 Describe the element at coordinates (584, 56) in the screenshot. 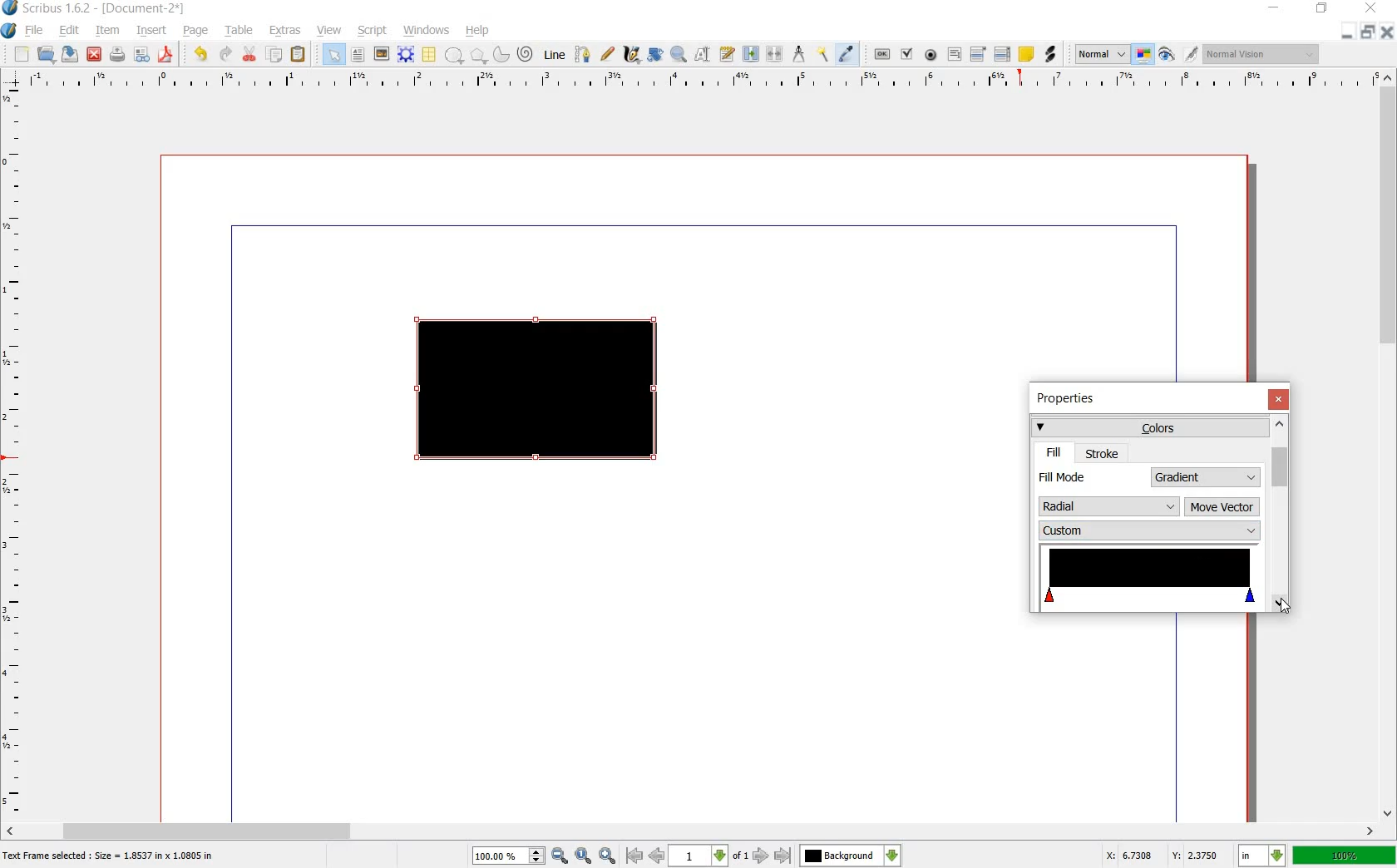

I see `bezier curve` at that location.